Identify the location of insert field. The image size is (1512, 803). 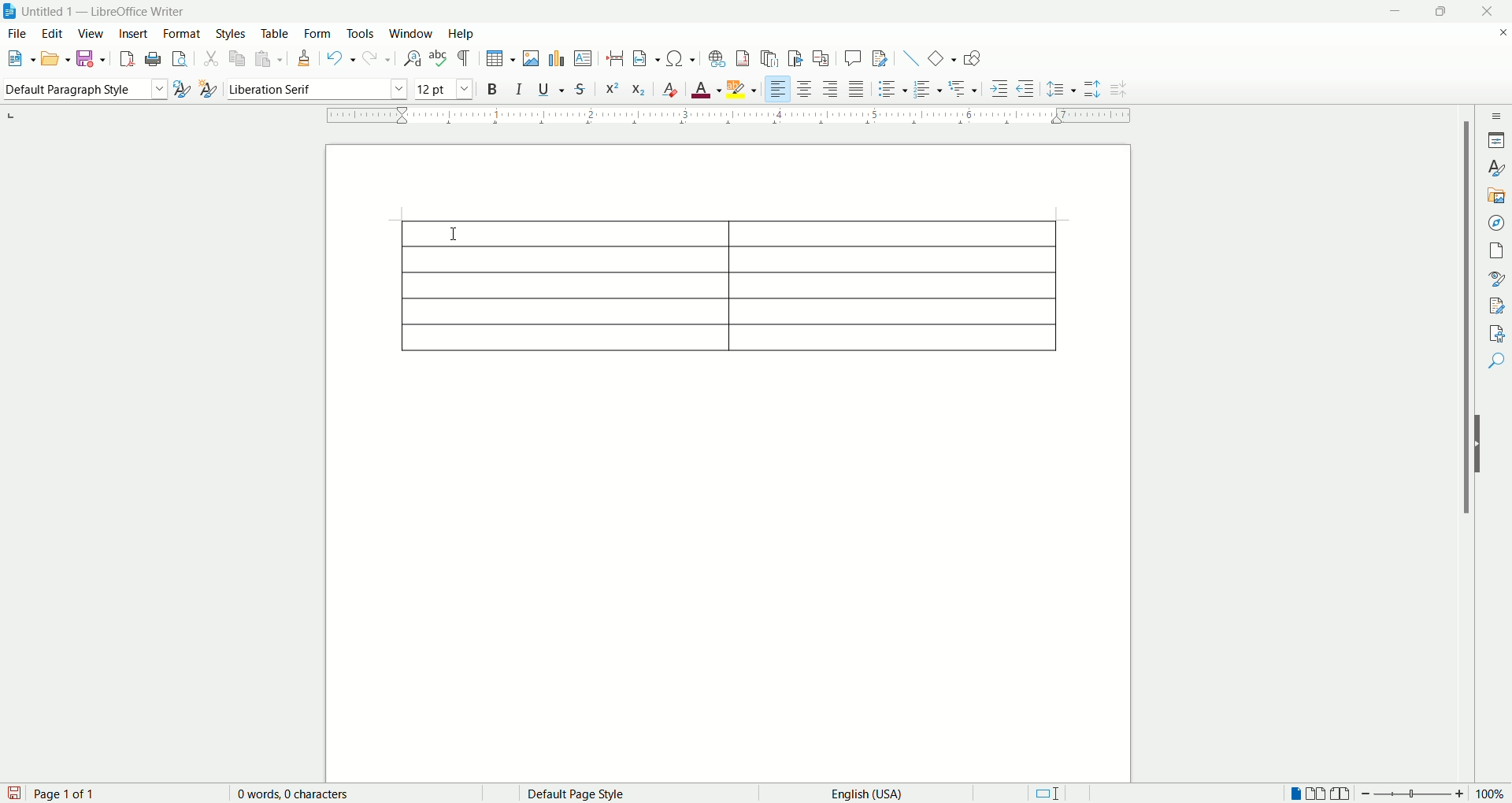
(648, 57).